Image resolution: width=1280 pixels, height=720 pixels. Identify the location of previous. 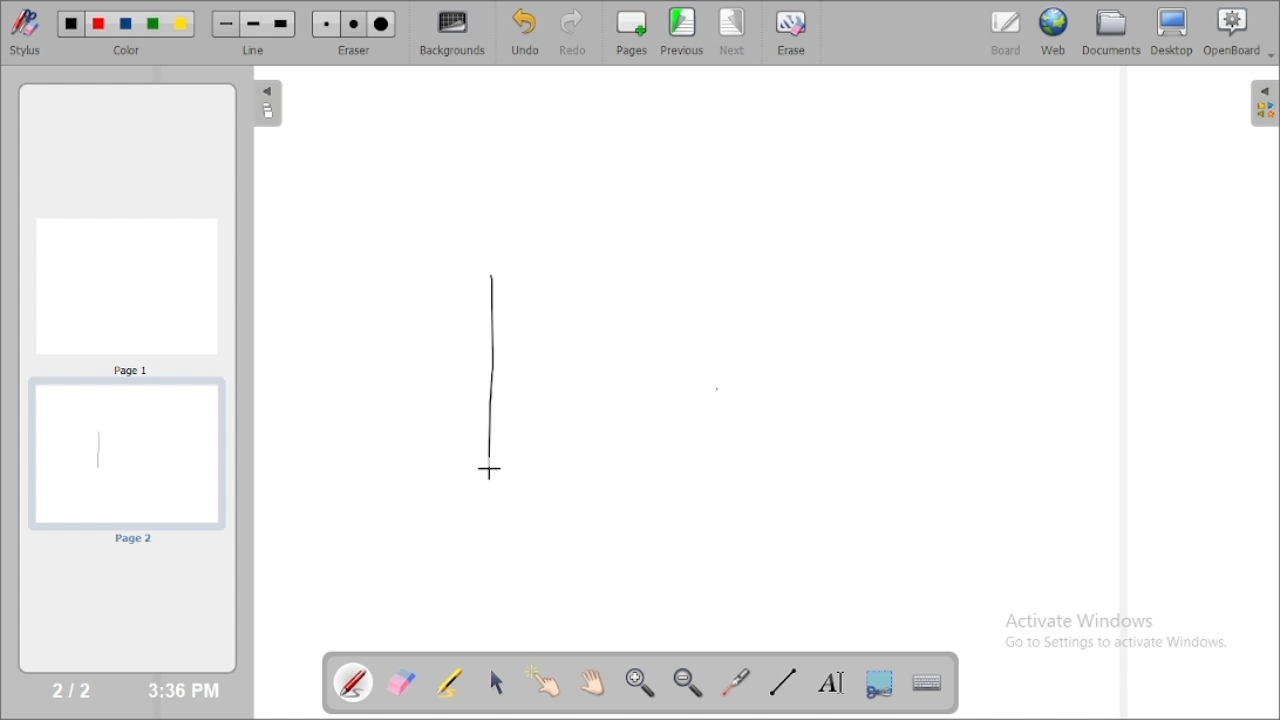
(682, 31).